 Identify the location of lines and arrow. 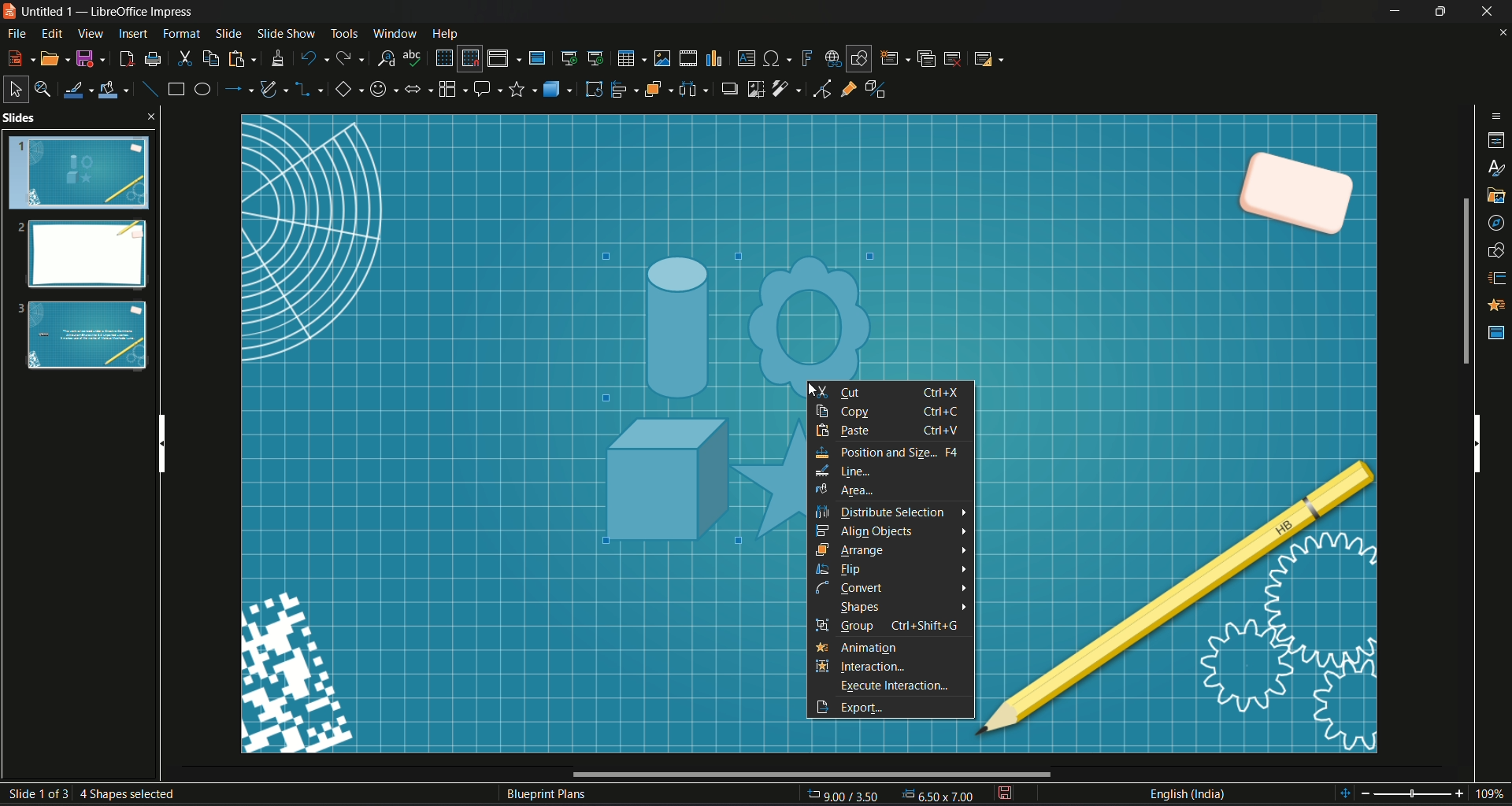
(237, 89).